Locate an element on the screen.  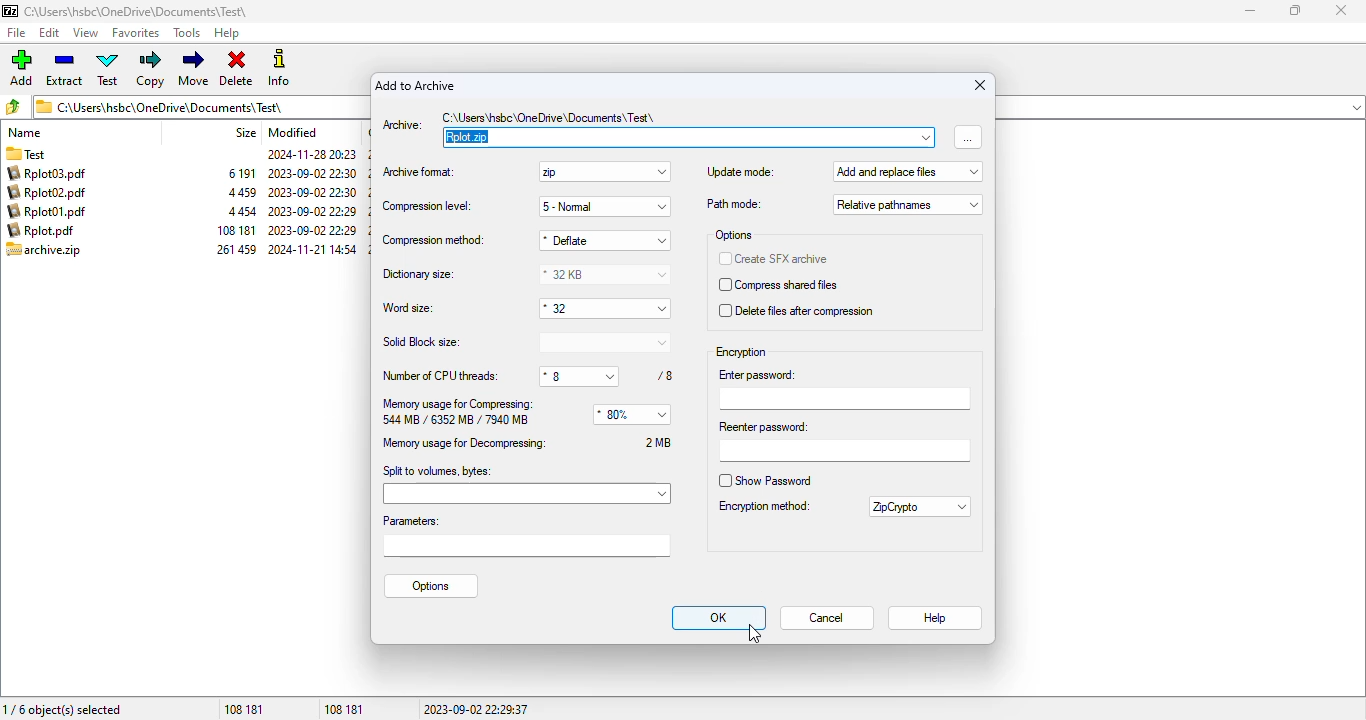
word size: * 32 is located at coordinates (523, 308).